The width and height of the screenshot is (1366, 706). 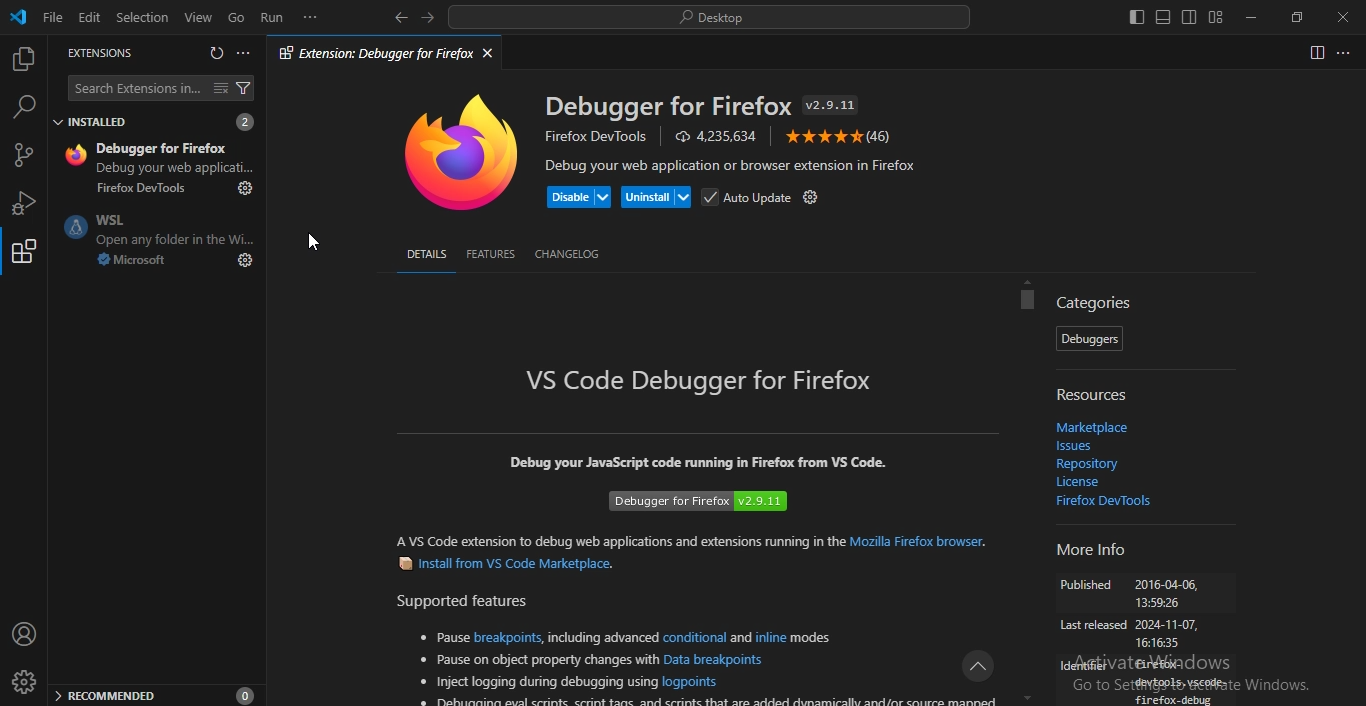 I want to click on close, so click(x=489, y=50).